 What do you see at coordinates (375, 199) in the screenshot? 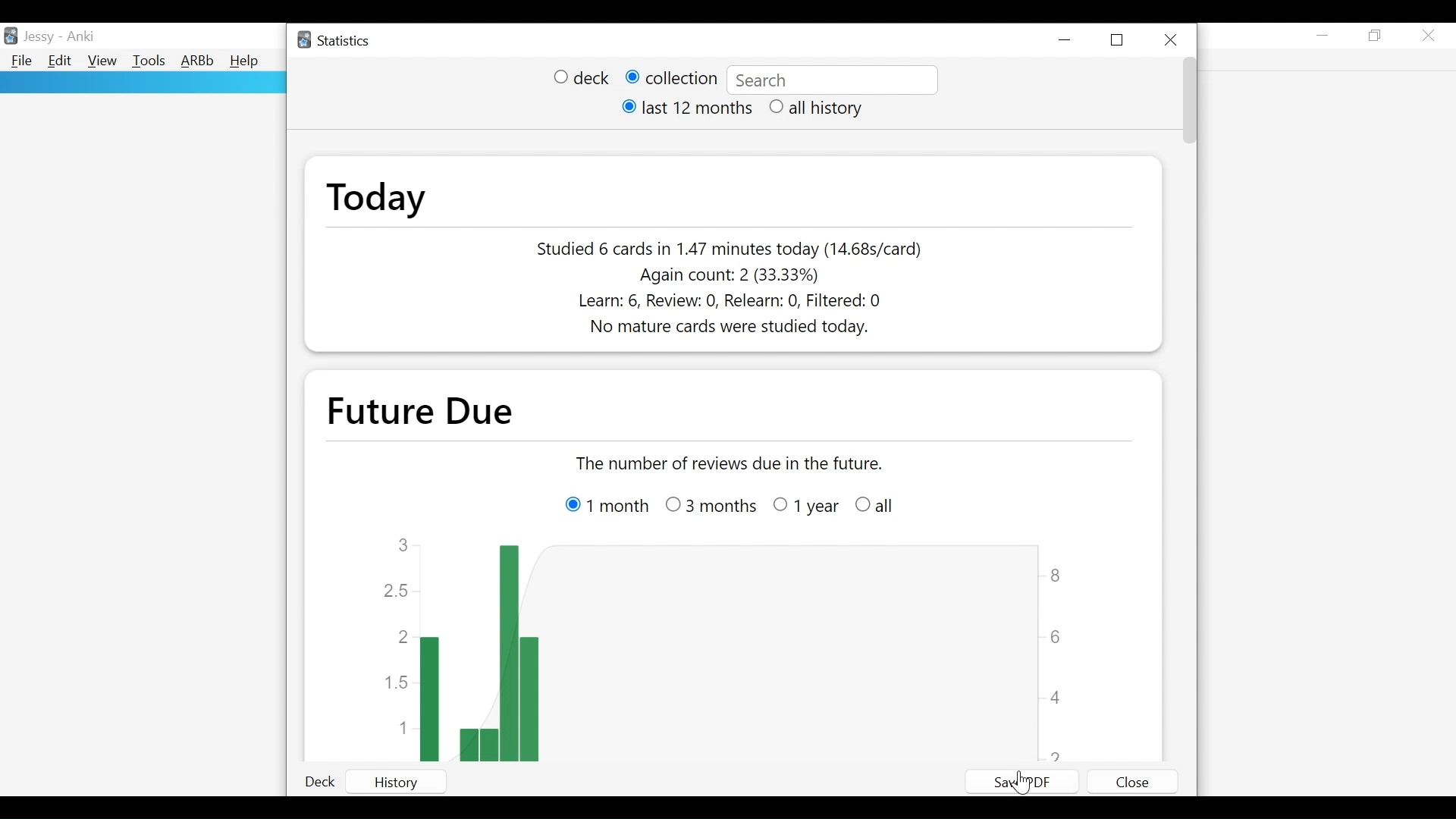
I see `Today` at bounding box center [375, 199].